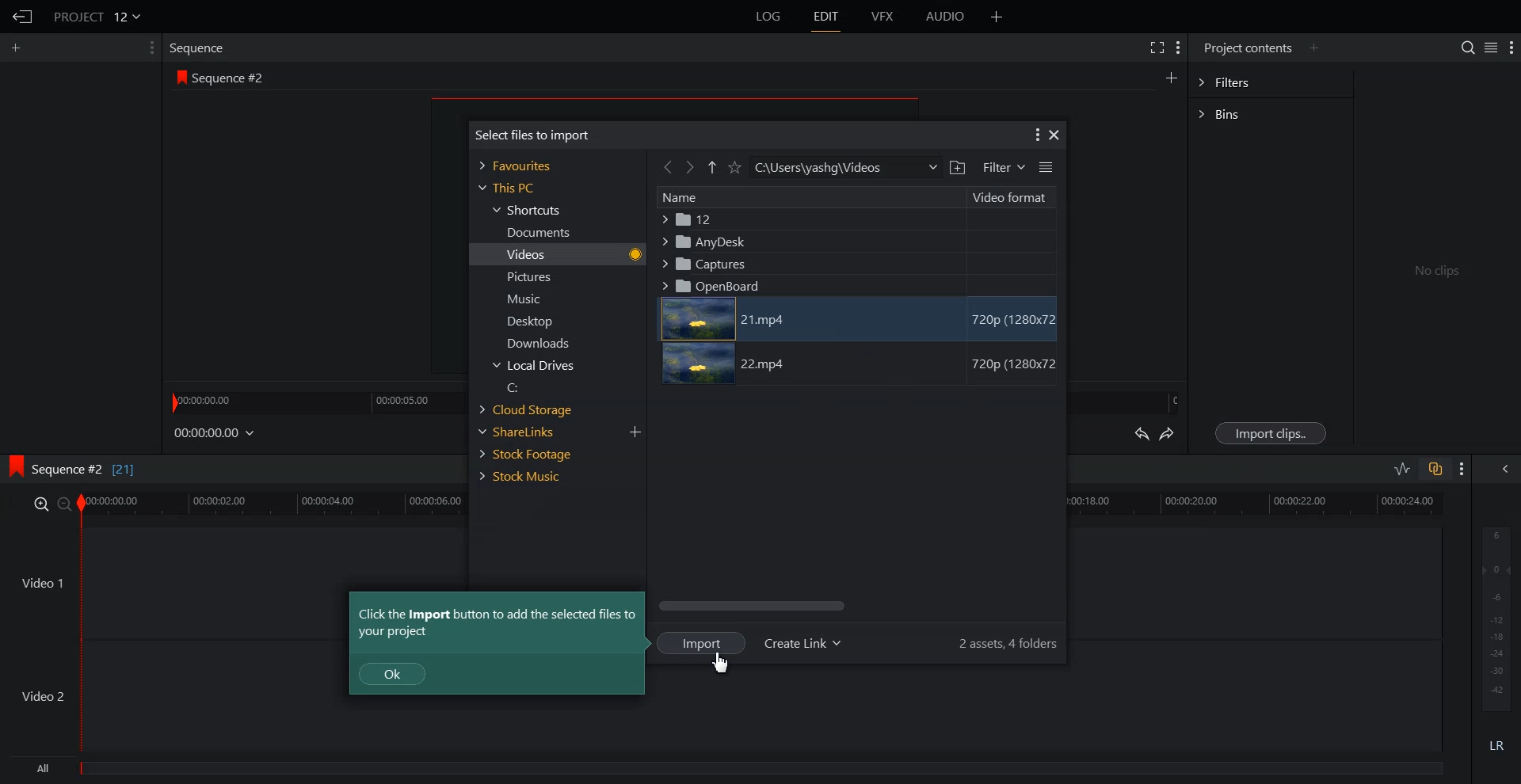  I want to click on Downloads, so click(536, 343).